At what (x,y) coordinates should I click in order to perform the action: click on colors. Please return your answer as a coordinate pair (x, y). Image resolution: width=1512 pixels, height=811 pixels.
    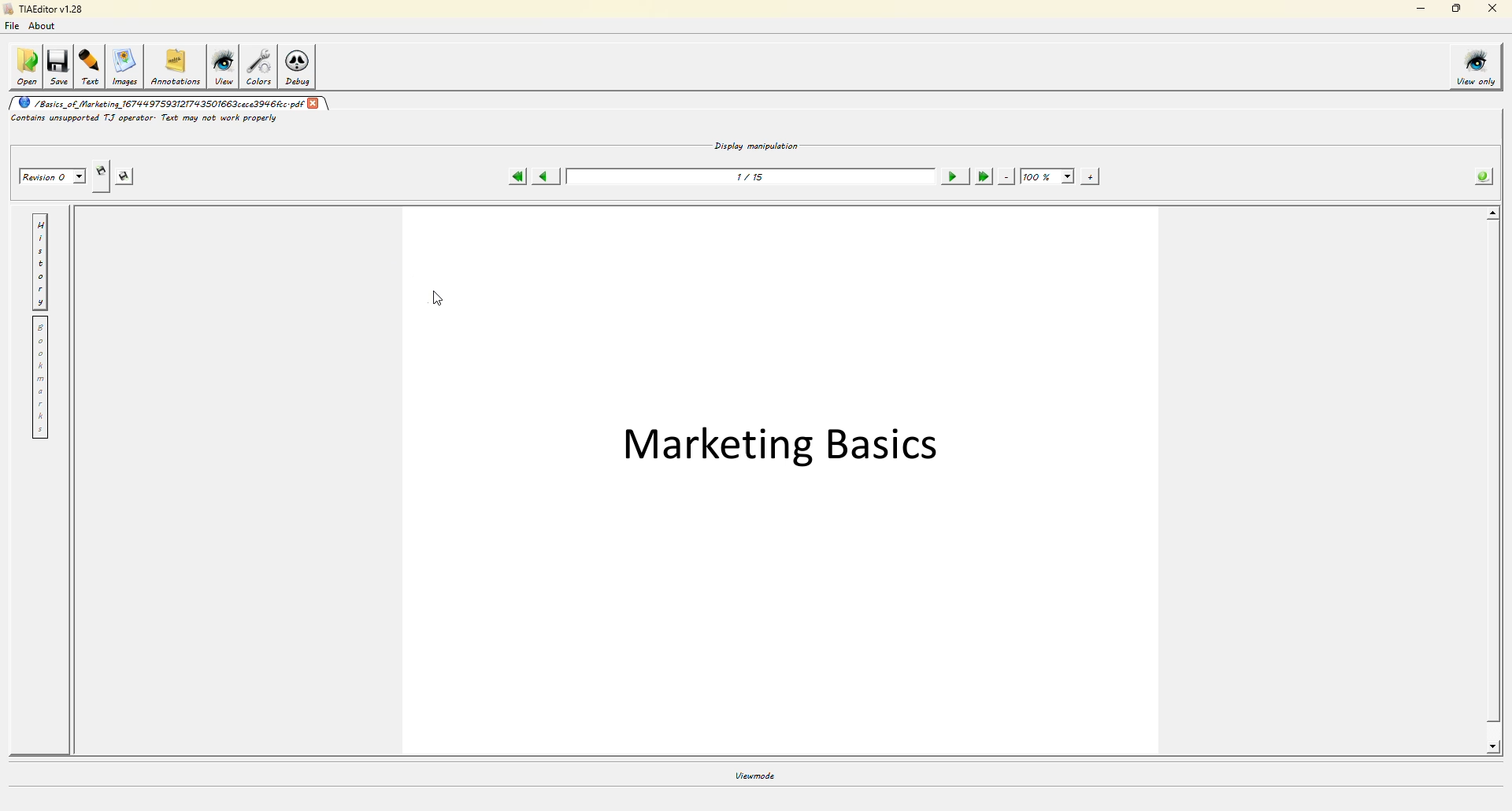
    Looking at the image, I should click on (259, 66).